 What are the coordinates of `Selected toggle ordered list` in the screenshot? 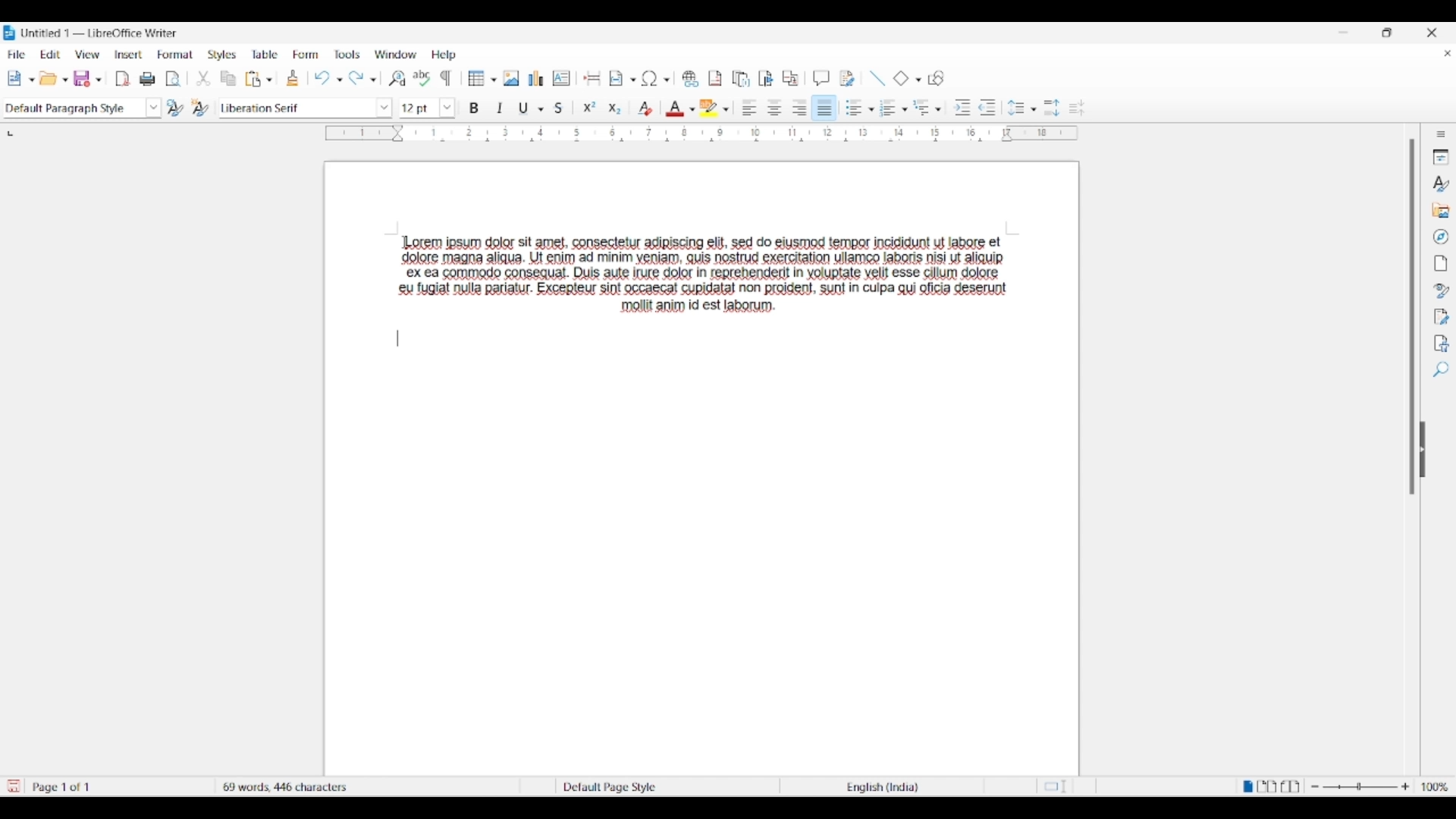 It's located at (888, 107).